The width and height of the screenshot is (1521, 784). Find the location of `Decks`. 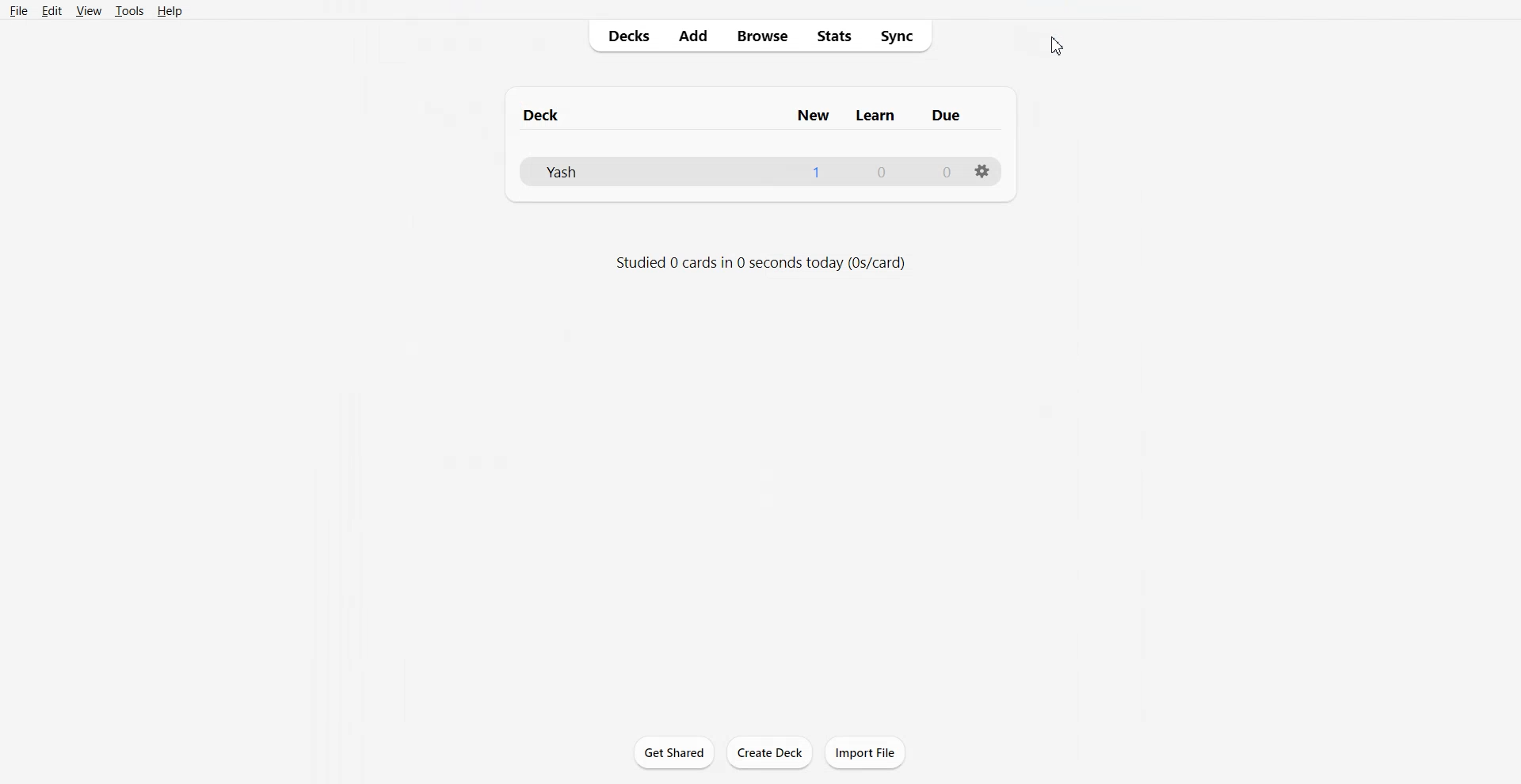

Decks is located at coordinates (623, 36).